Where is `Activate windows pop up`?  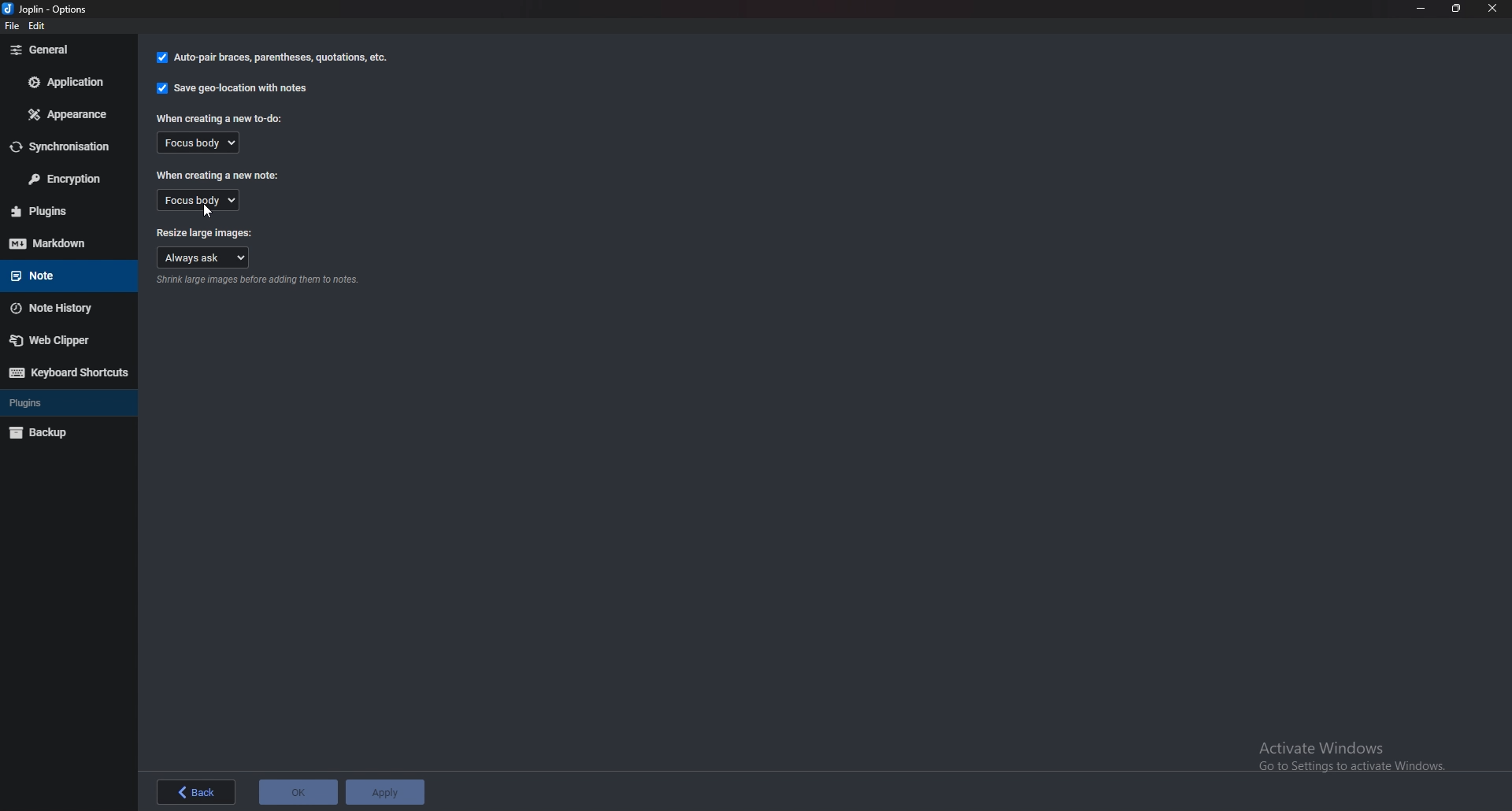 Activate windows pop up is located at coordinates (1355, 757).